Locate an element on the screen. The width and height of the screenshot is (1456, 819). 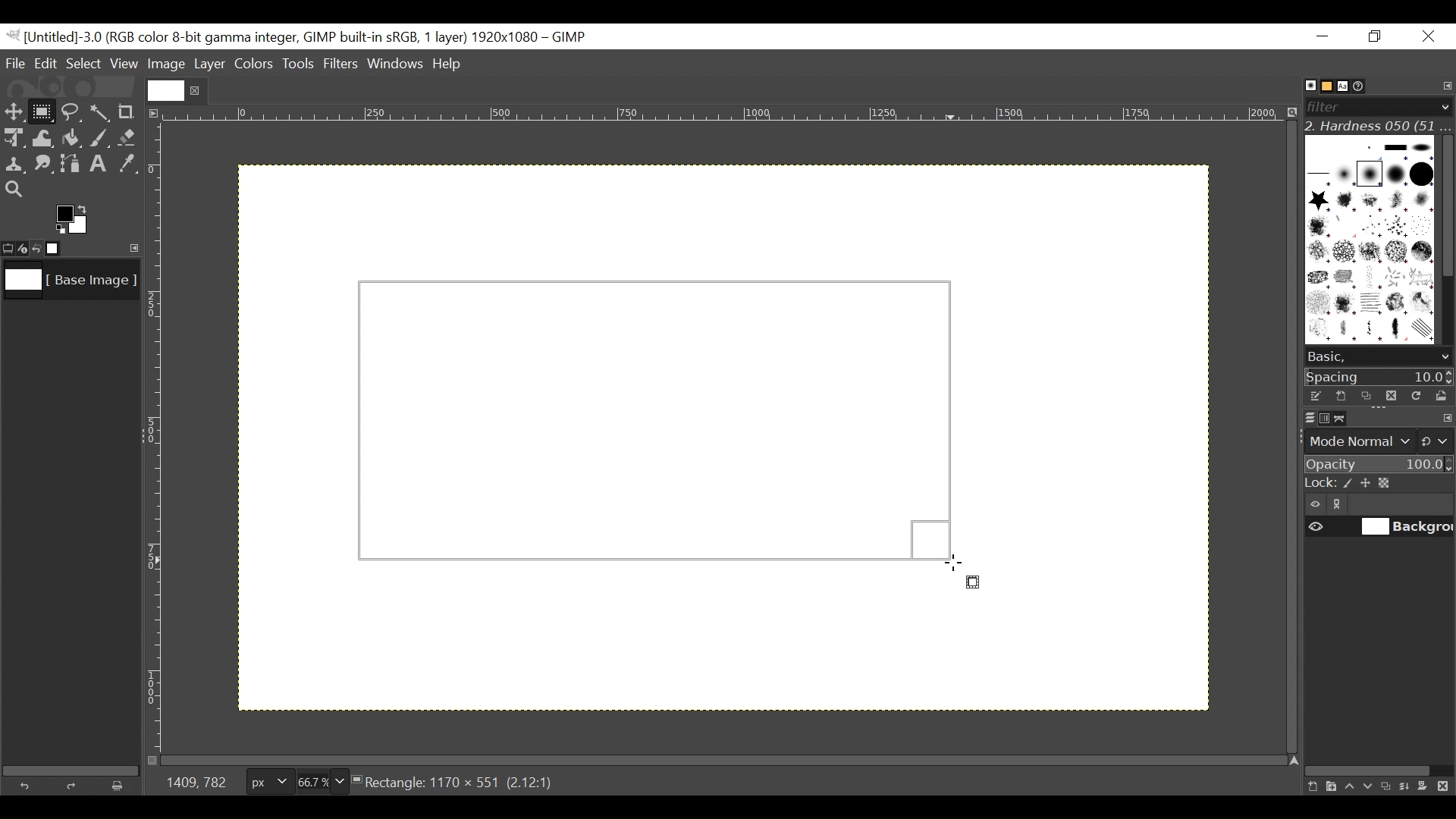
Undo last action is located at coordinates (37, 248).